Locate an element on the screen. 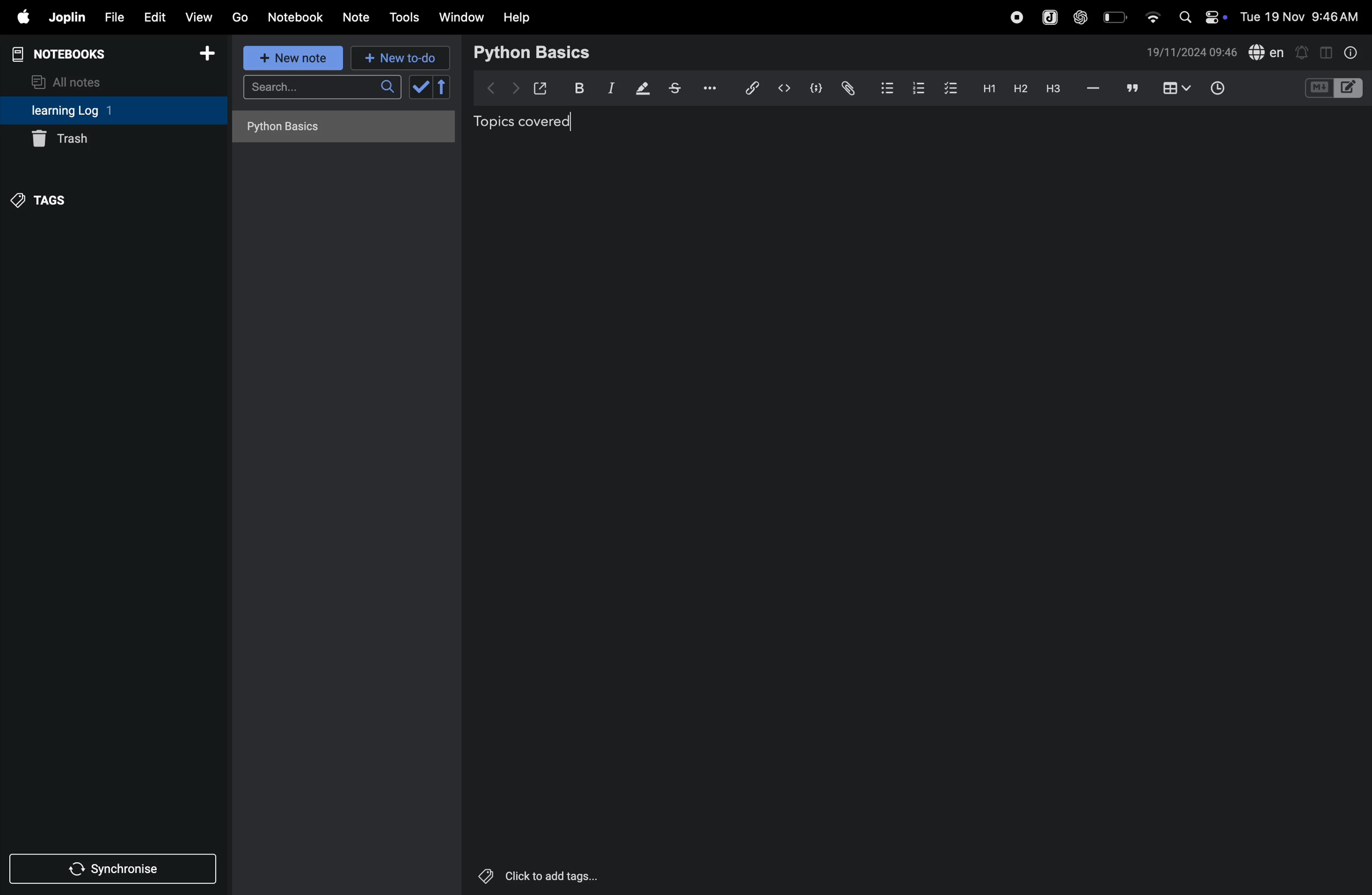 The height and width of the screenshot is (895, 1372). hifen is located at coordinates (1094, 89).